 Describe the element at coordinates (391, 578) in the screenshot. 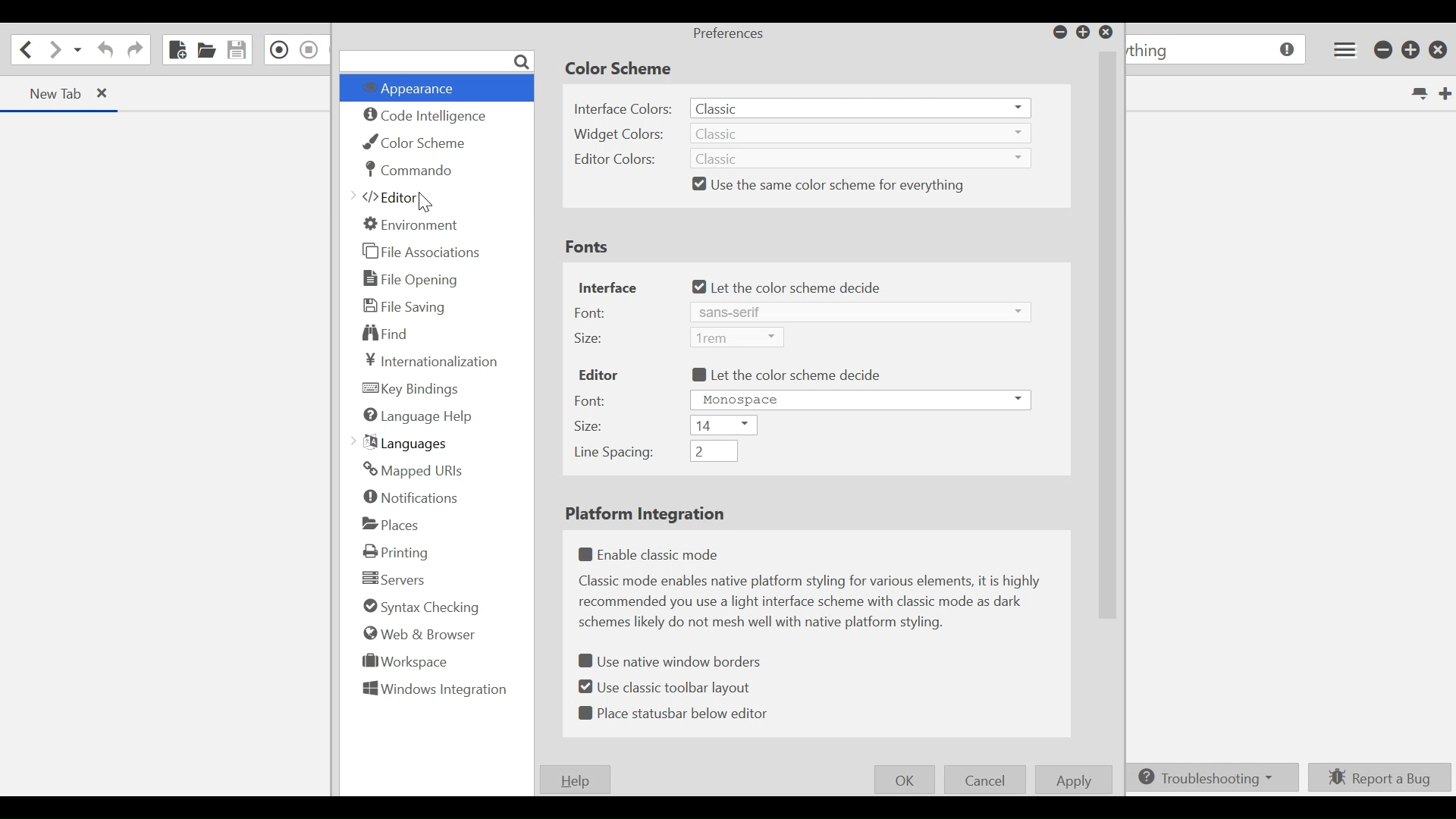

I see `Servers` at that location.